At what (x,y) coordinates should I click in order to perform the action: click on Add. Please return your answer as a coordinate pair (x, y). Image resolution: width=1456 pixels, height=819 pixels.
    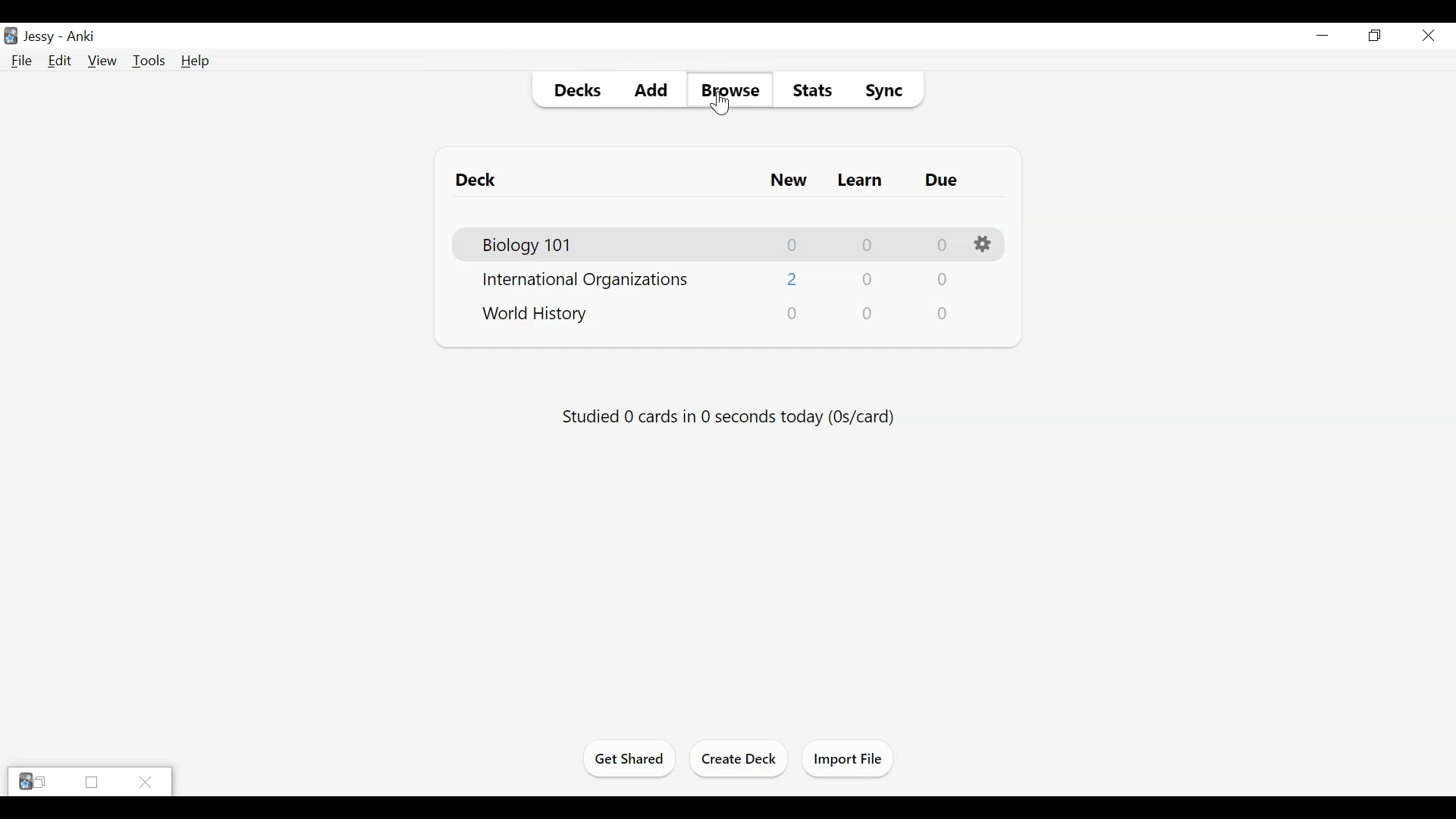
    Looking at the image, I should click on (652, 91).